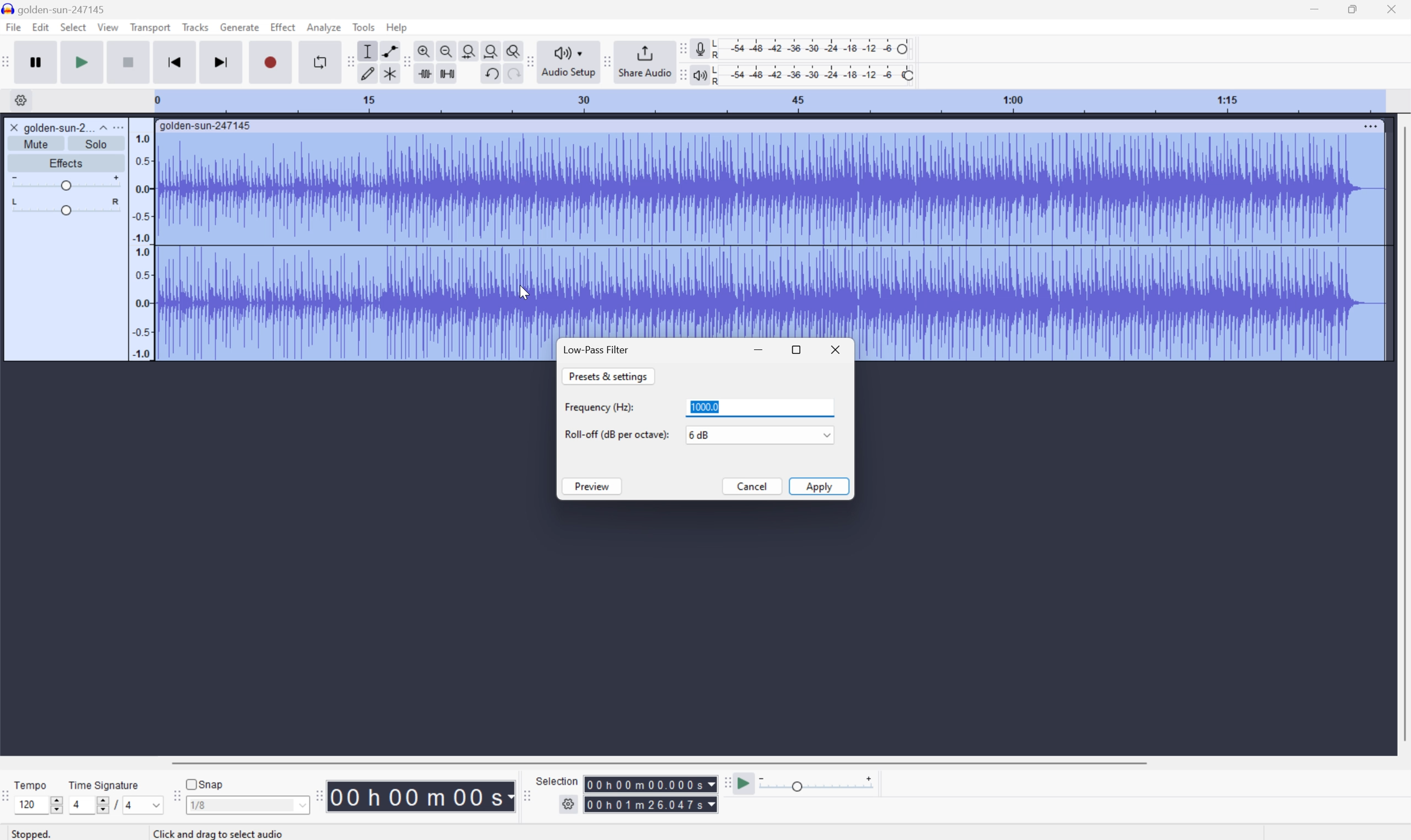 The height and width of the screenshot is (840, 1411). I want to click on Pause, so click(40, 62).